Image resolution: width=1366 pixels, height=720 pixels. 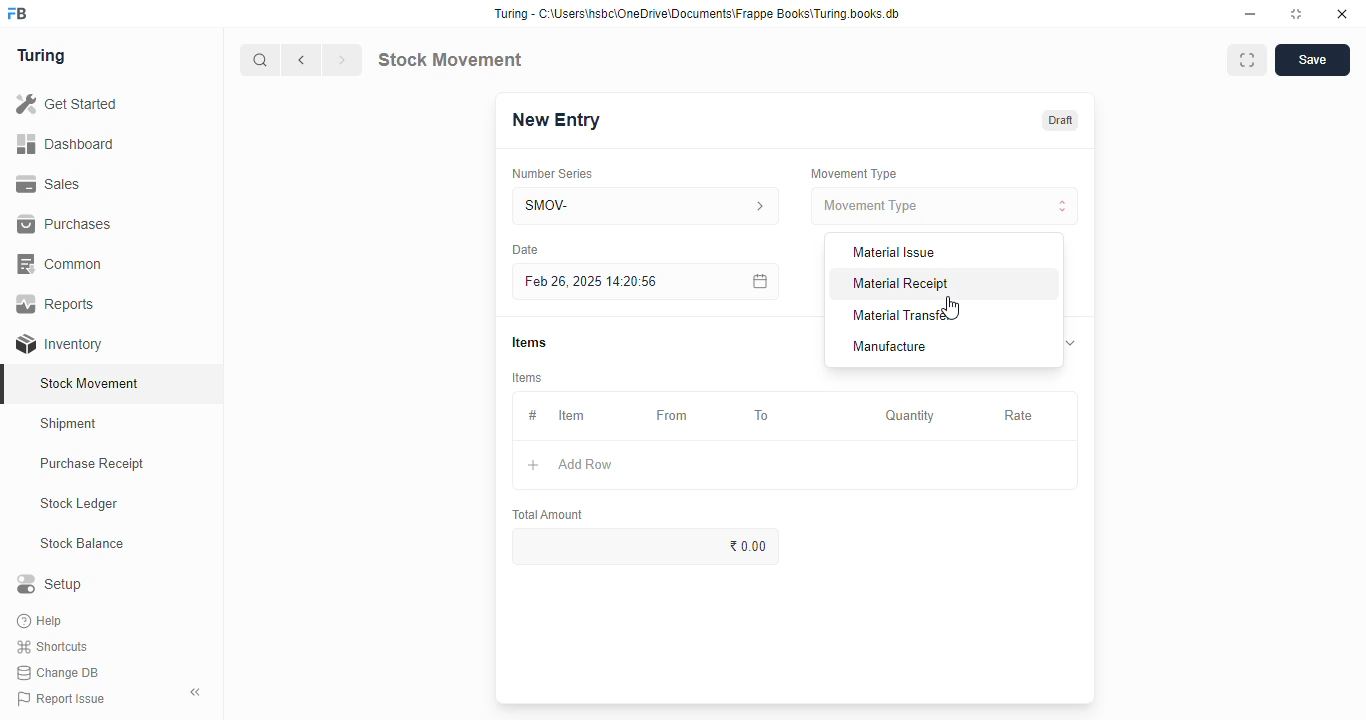 I want to click on stock ledger, so click(x=80, y=504).